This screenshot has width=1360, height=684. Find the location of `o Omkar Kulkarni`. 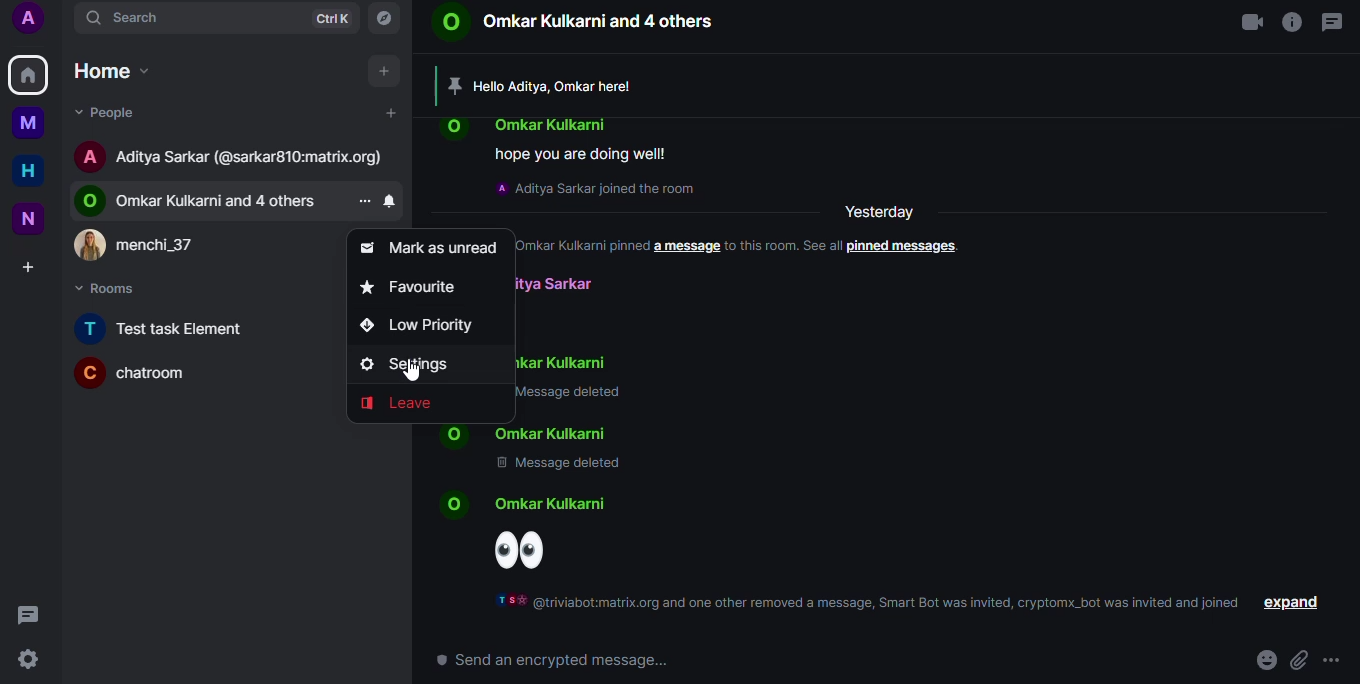

o Omkar Kulkarni is located at coordinates (551, 506).